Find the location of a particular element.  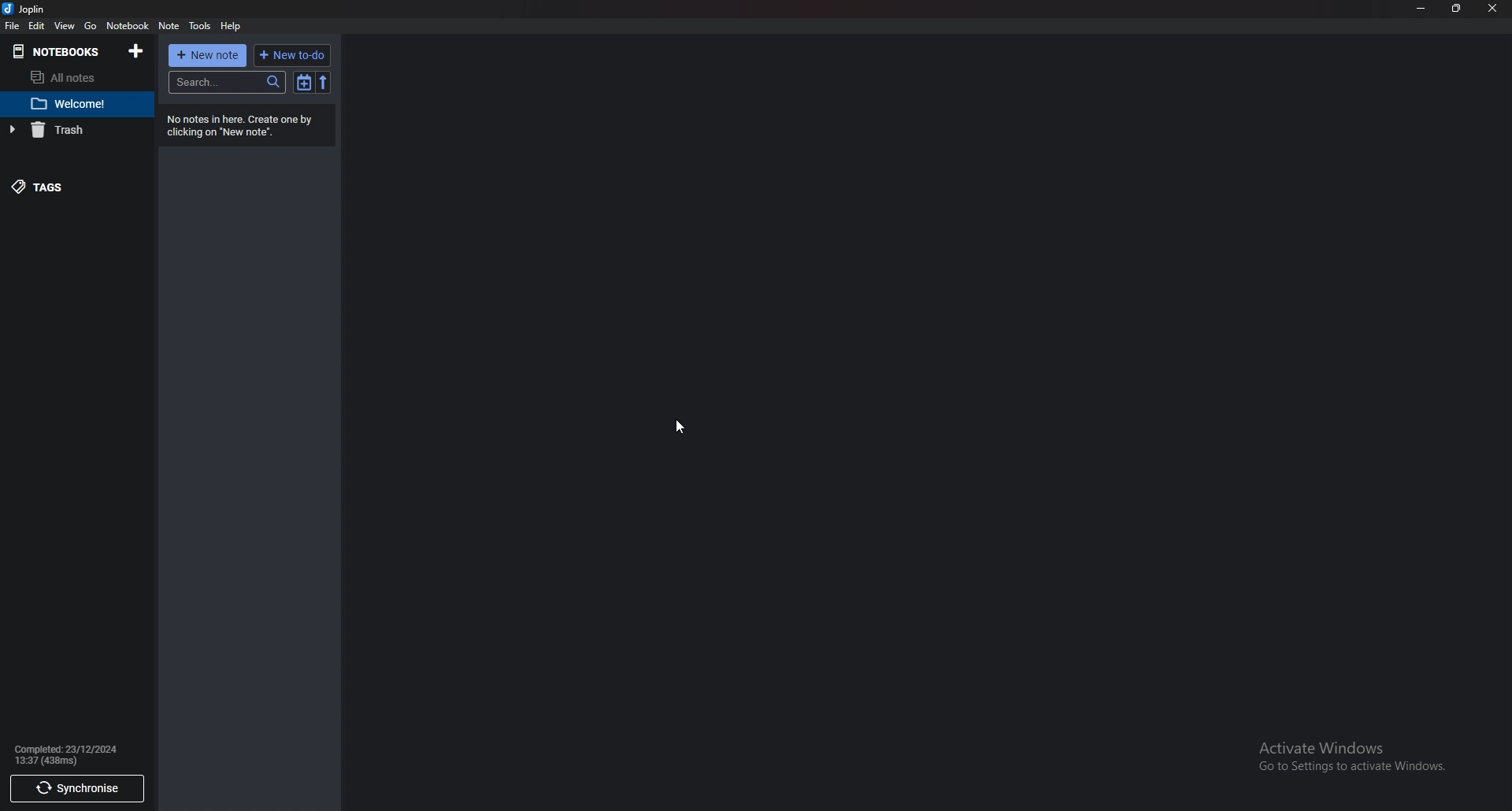

tags is located at coordinates (66, 185).